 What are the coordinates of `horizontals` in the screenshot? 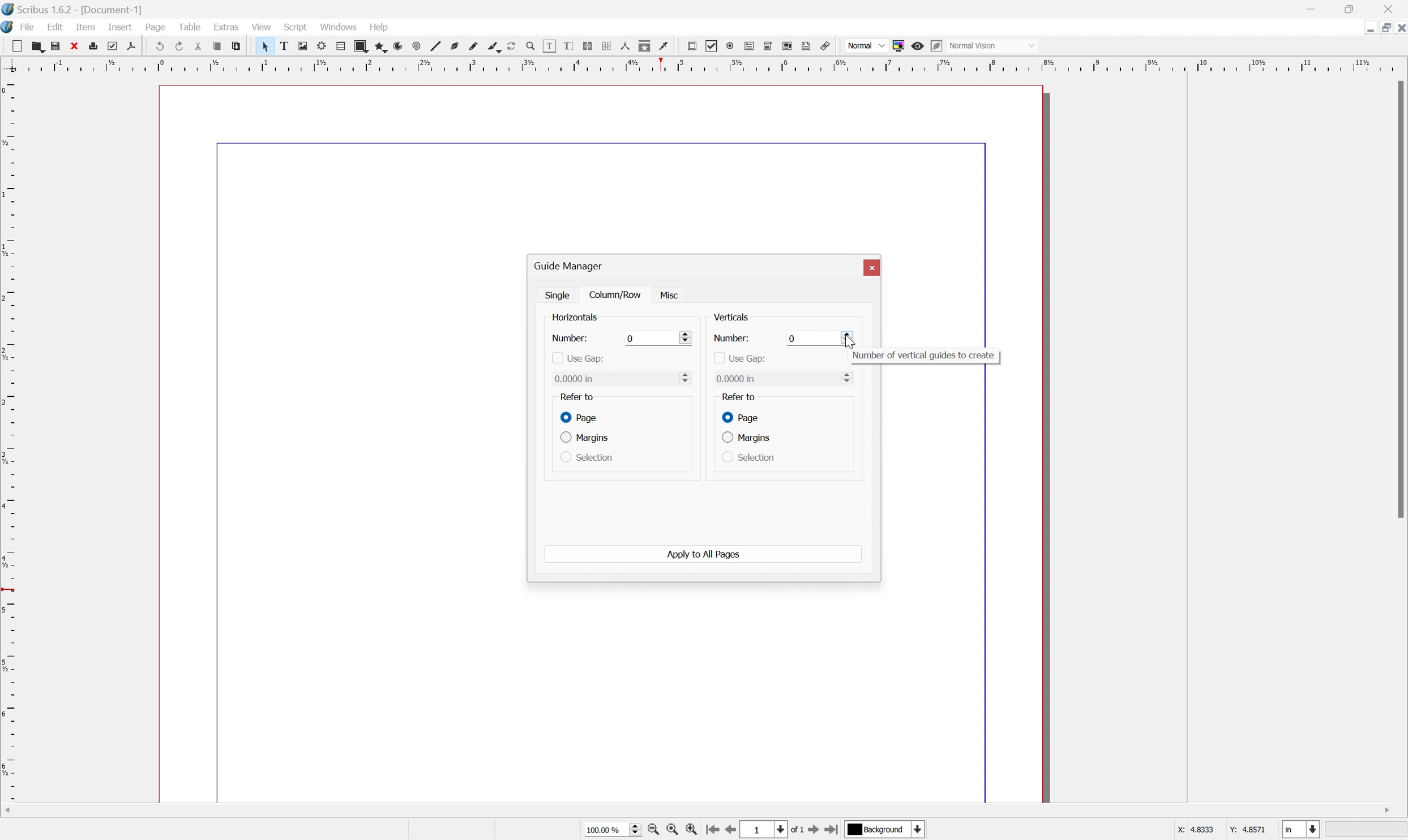 It's located at (576, 318).